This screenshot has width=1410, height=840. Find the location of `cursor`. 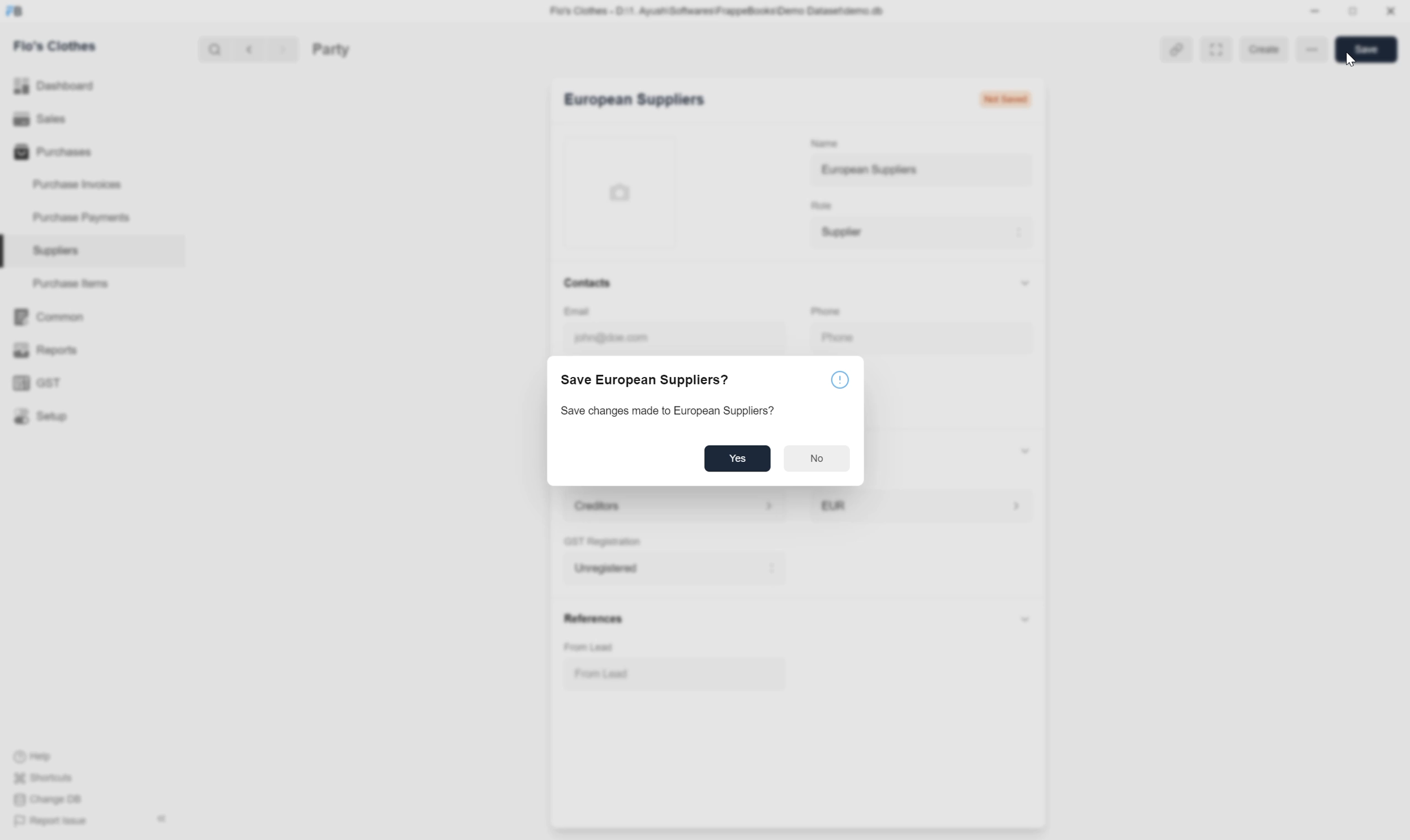

cursor is located at coordinates (1353, 59).